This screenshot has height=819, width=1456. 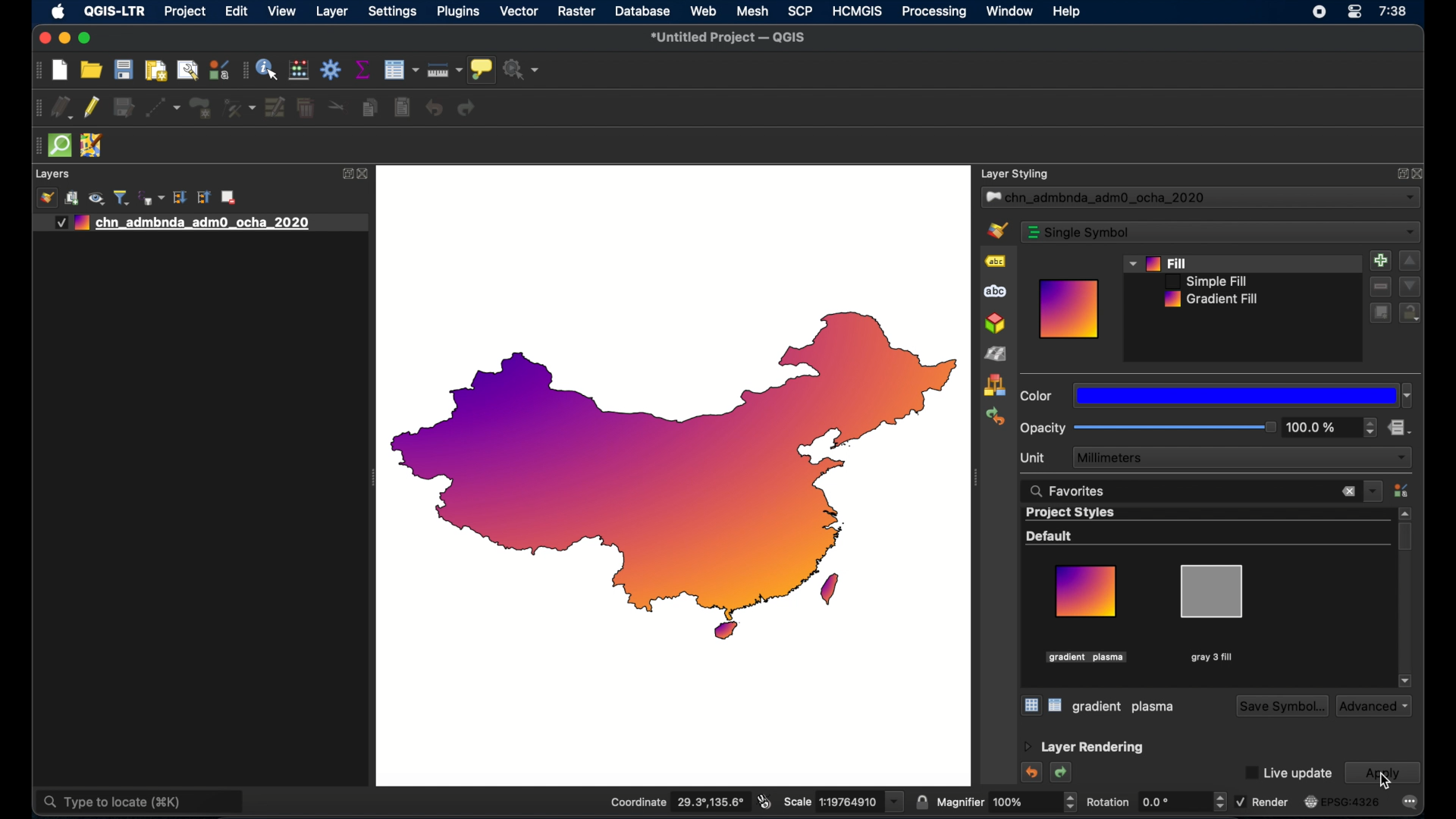 I want to click on millimeters, so click(x=1241, y=457).